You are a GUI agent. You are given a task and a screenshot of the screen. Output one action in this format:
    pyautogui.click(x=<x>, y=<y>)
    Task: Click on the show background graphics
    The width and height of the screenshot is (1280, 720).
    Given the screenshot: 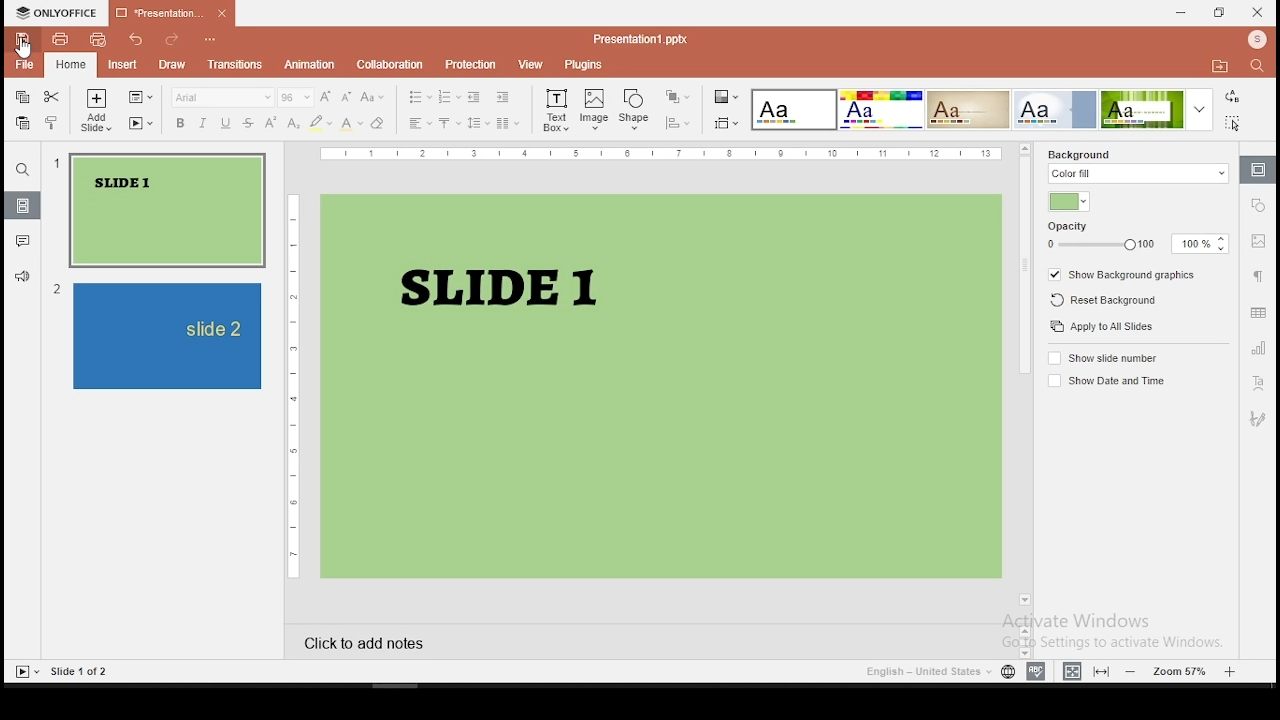 What is the action you would take?
    pyautogui.click(x=1125, y=275)
    